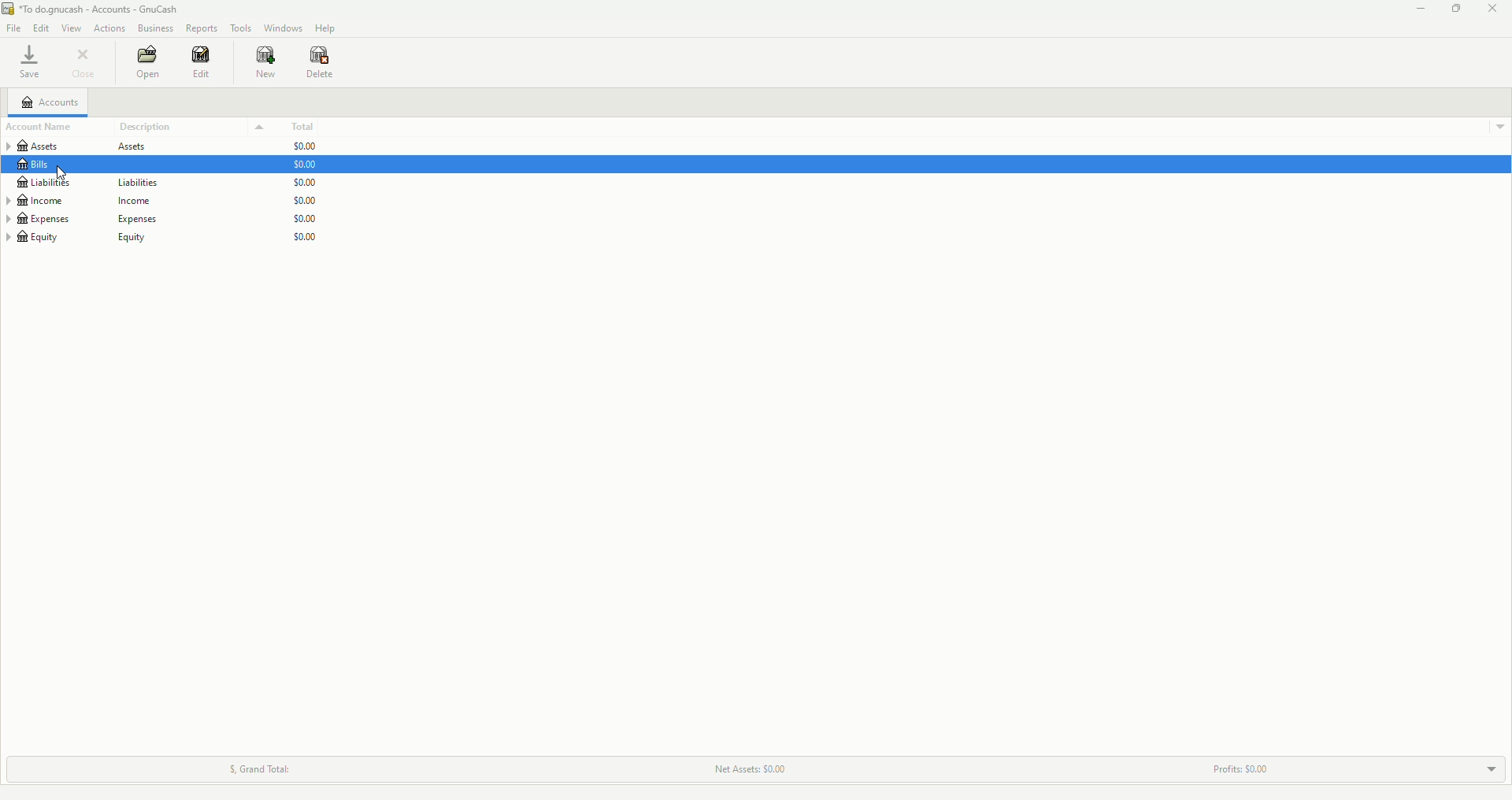 This screenshot has height=800, width=1512. Describe the element at coordinates (749, 769) in the screenshot. I see `Net Assets` at that location.